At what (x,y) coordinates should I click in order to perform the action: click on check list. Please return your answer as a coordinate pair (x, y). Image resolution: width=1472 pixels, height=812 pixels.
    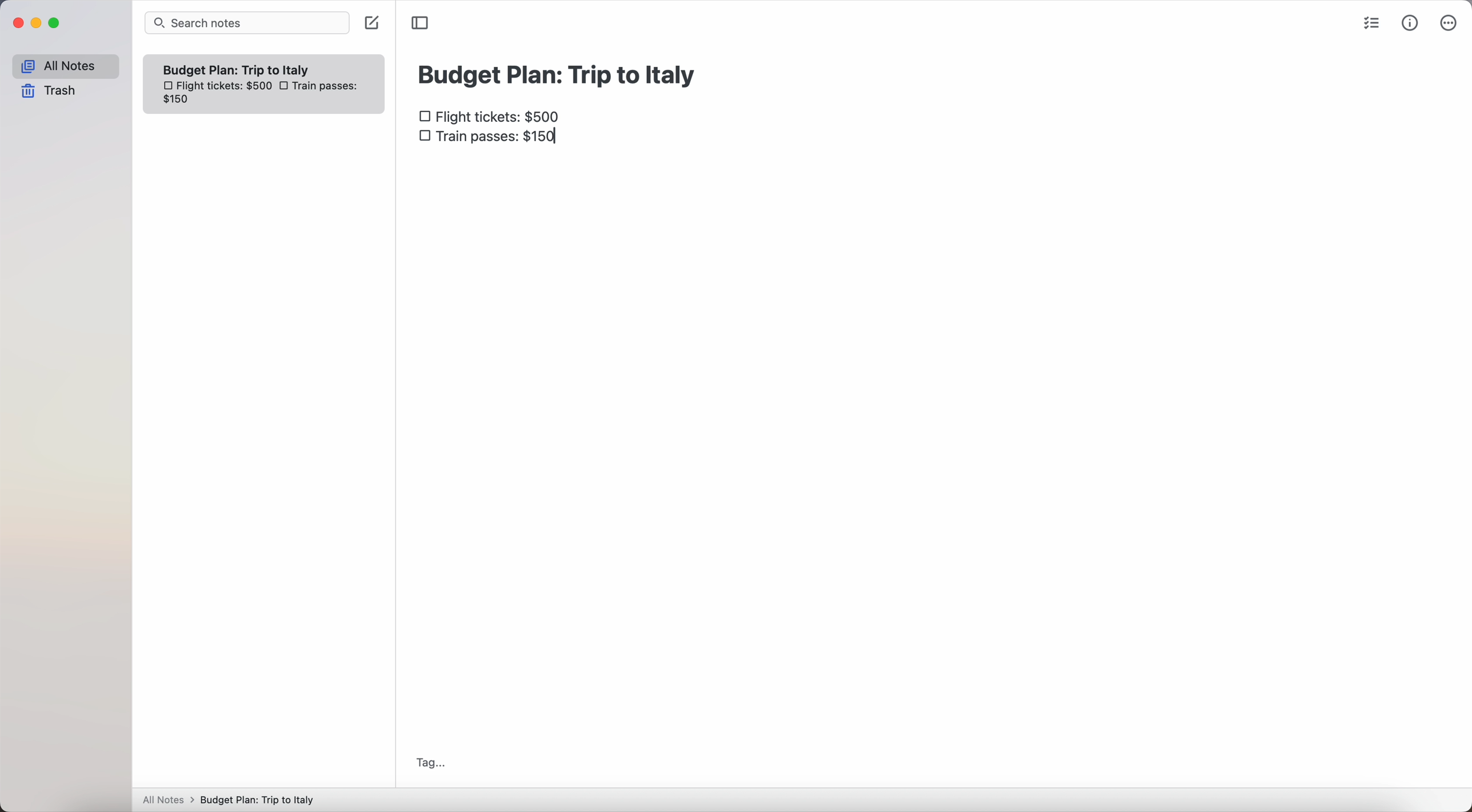
    Looking at the image, I should click on (1375, 25).